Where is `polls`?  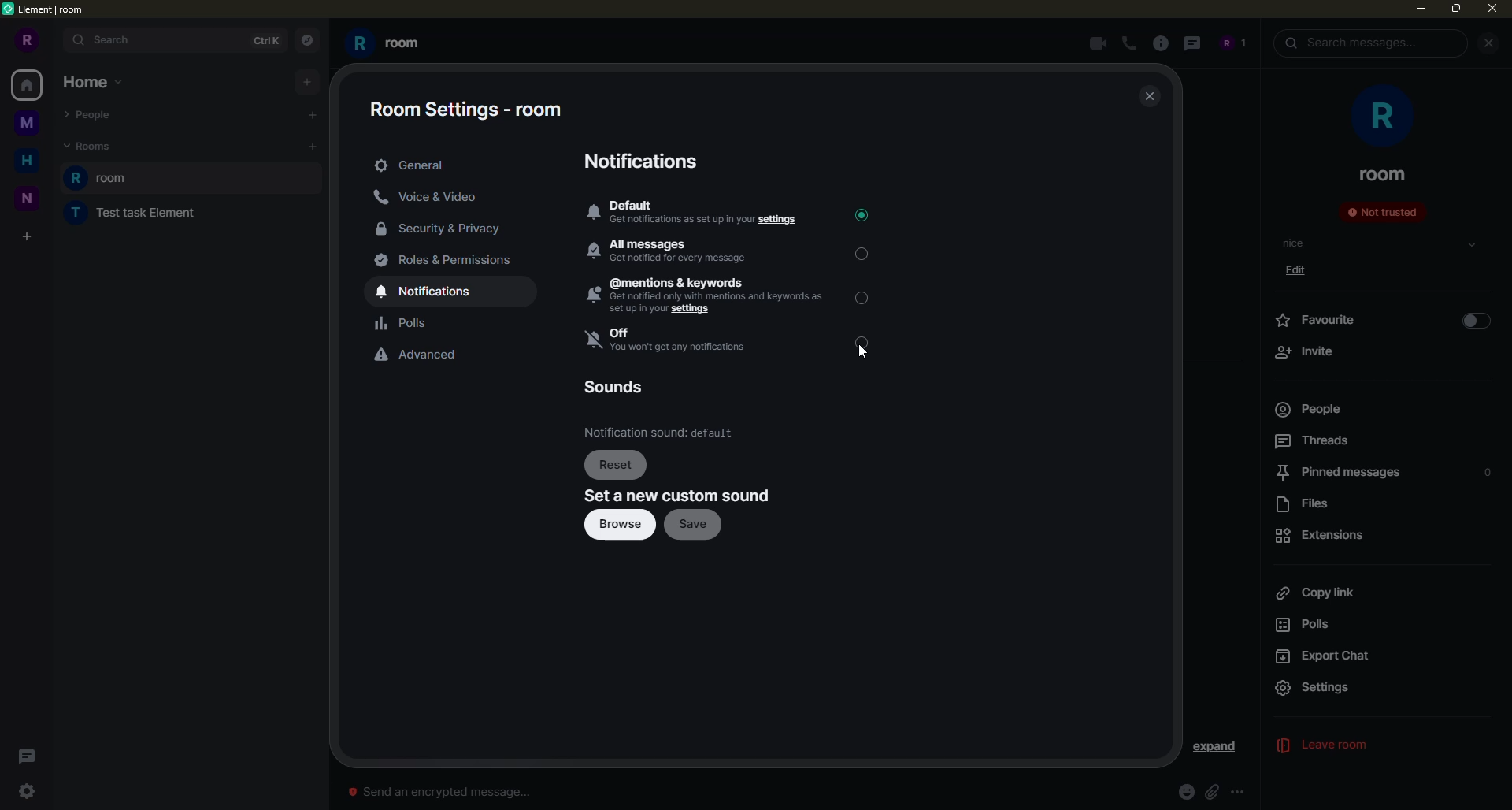 polls is located at coordinates (404, 324).